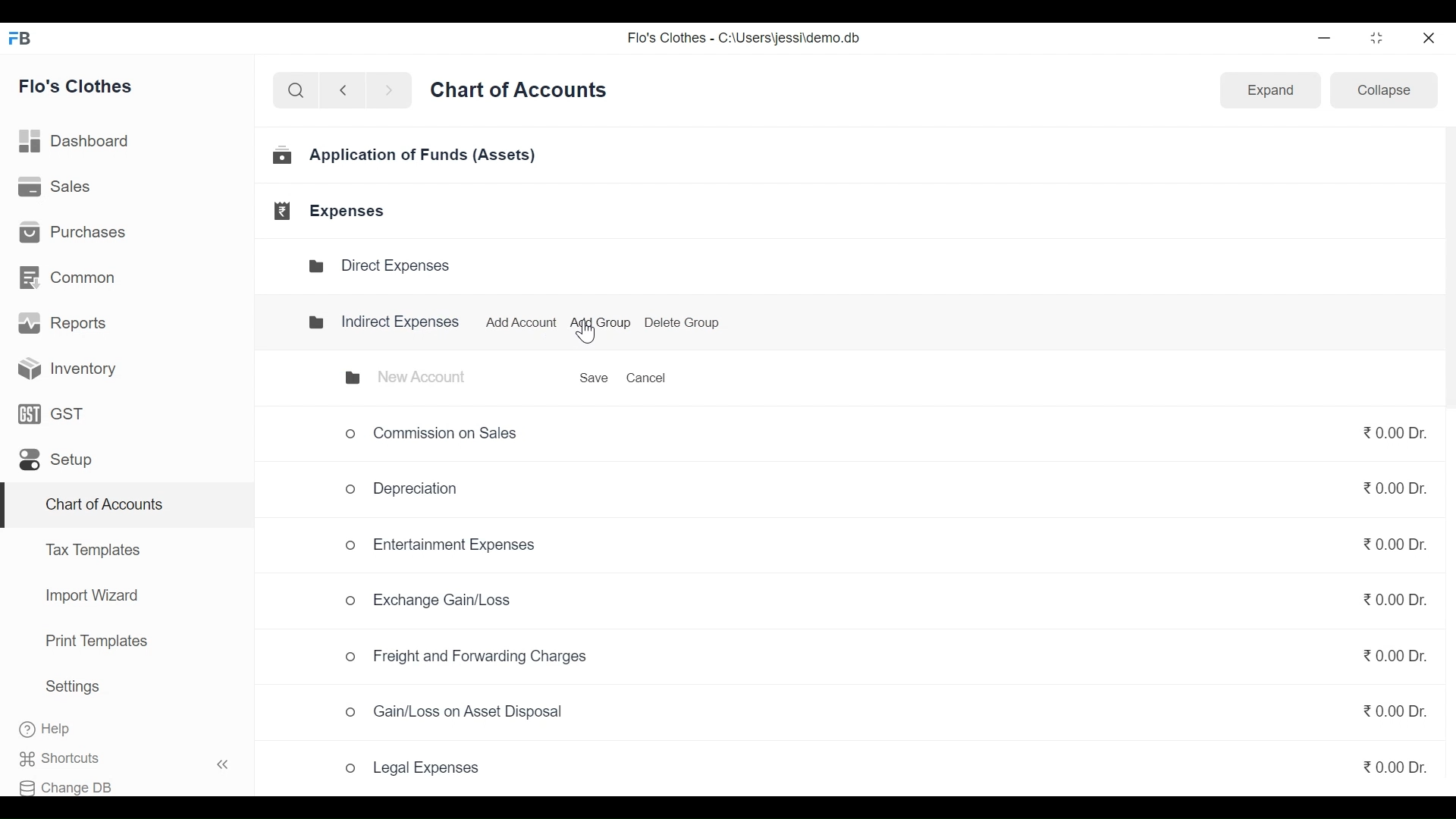  Describe the element at coordinates (1396, 545) in the screenshot. I see `₹0.00 Dr.` at that location.